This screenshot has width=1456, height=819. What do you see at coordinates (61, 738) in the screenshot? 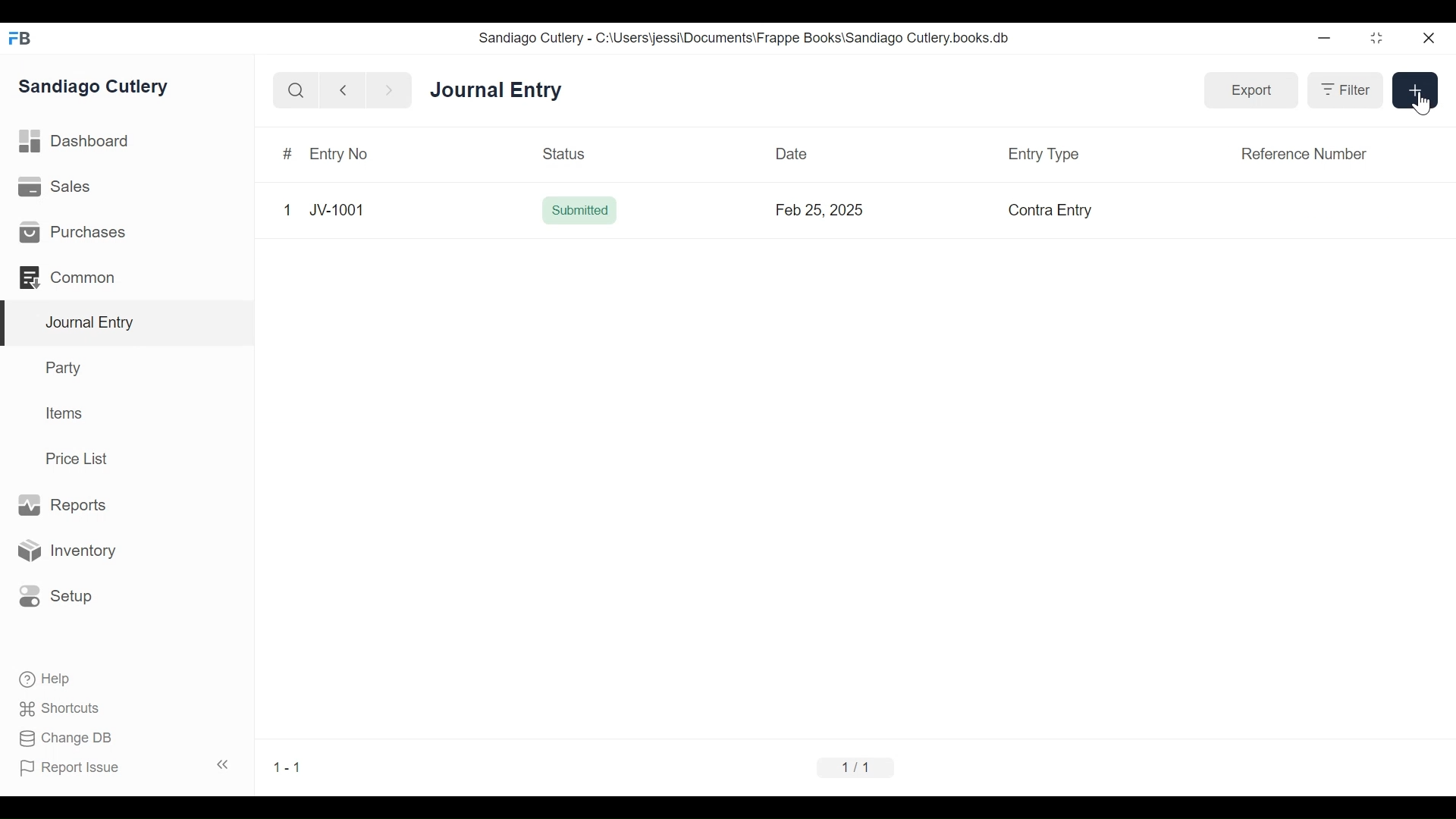
I see `Change DB` at bounding box center [61, 738].